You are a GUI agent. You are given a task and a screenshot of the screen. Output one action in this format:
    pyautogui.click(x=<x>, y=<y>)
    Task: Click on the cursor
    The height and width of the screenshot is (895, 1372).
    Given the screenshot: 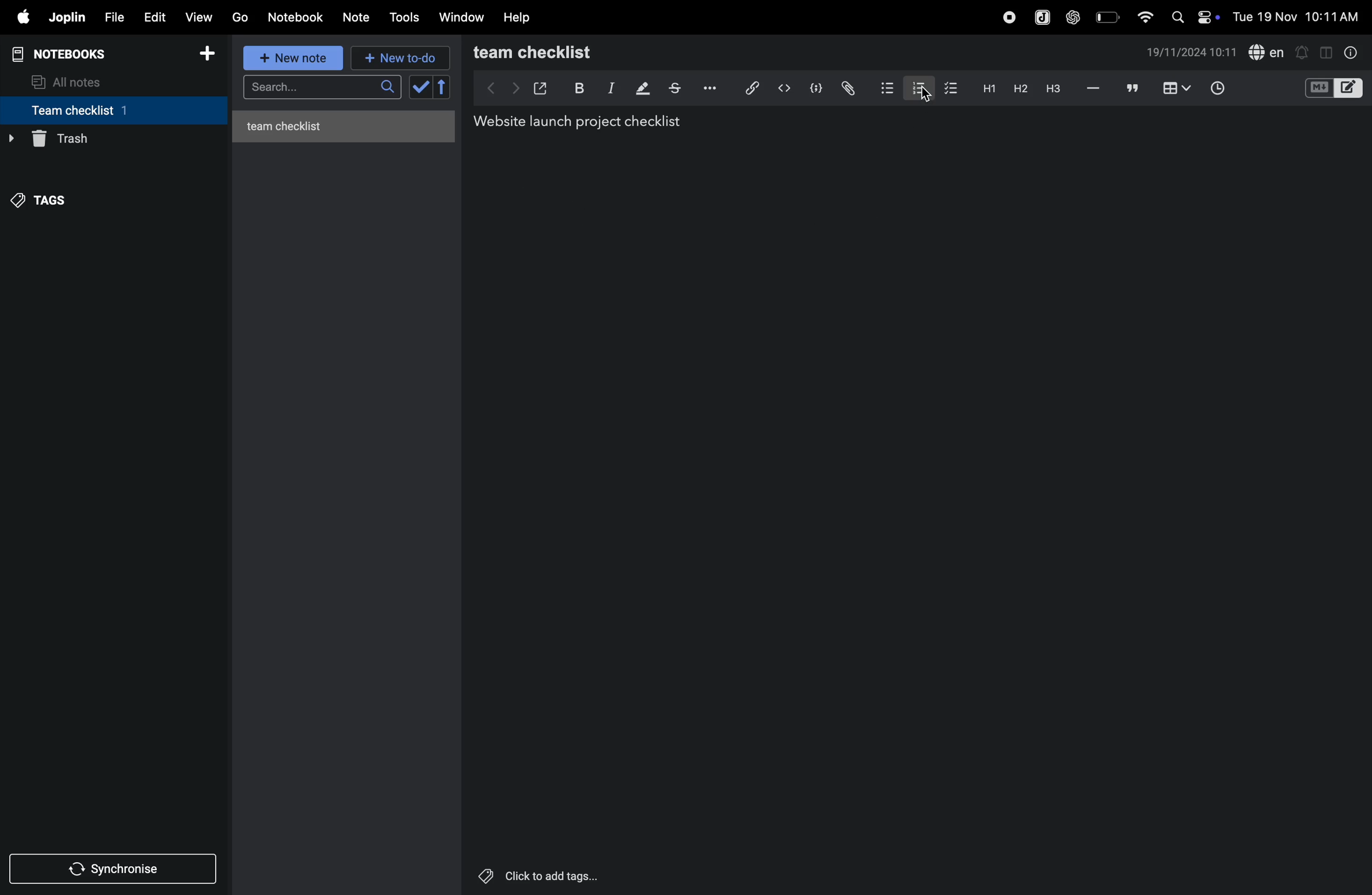 What is the action you would take?
    pyautogui.click(x=925, y=98)
    